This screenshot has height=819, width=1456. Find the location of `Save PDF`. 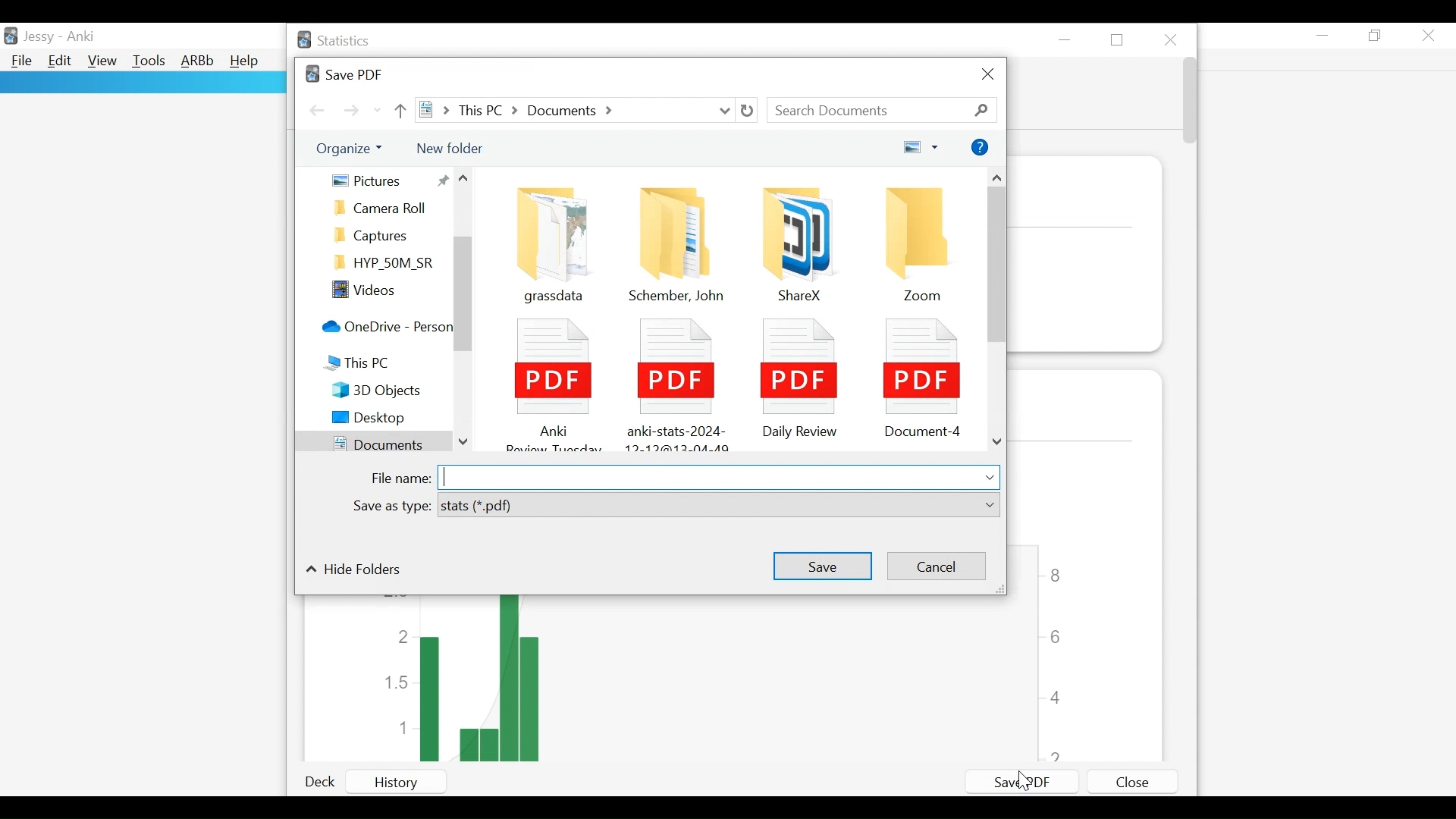

Save PDF is located at coordinates (1023, 780).